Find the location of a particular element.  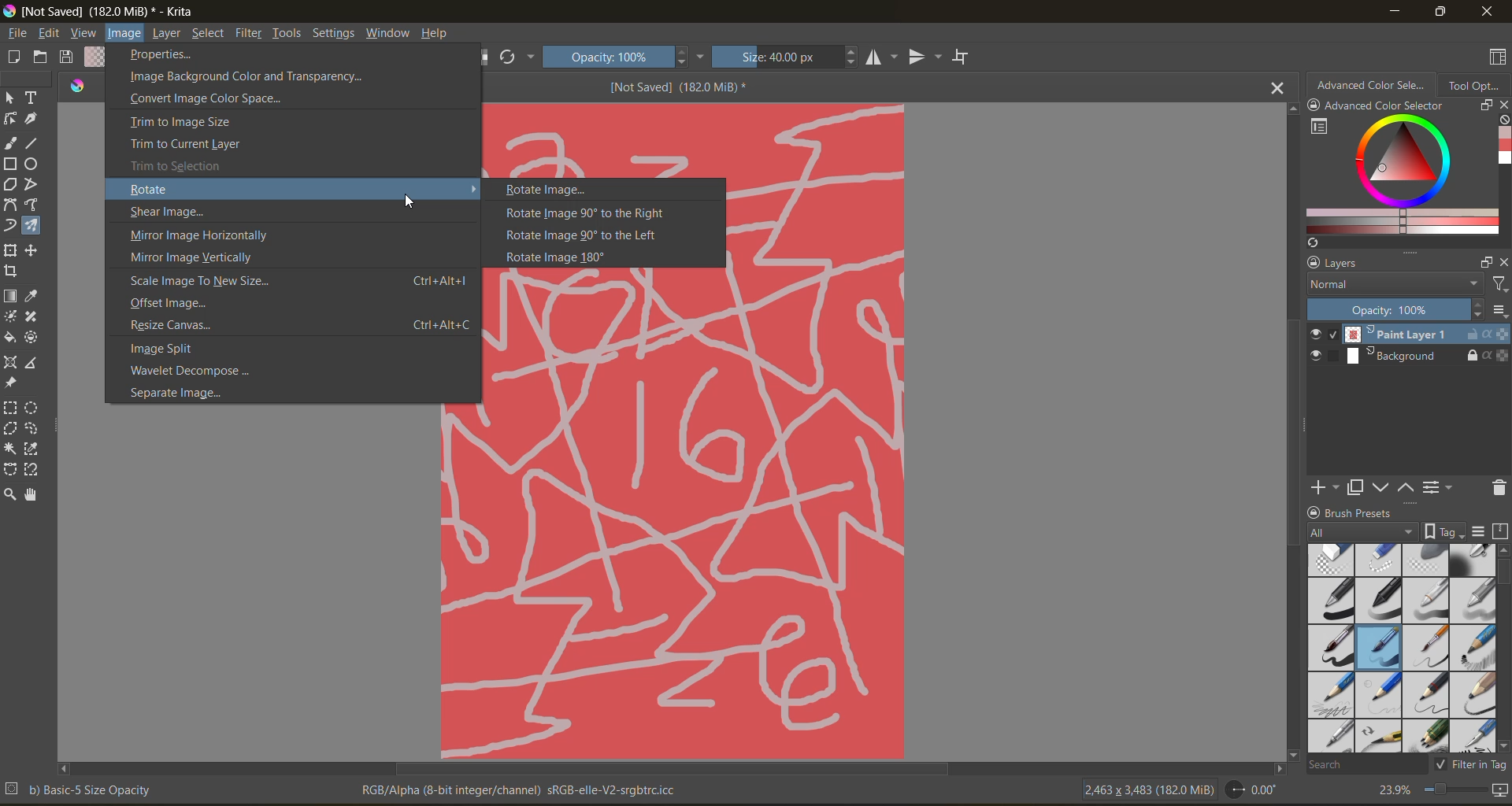

image background color and transparency is located at coordinates (246, 78).